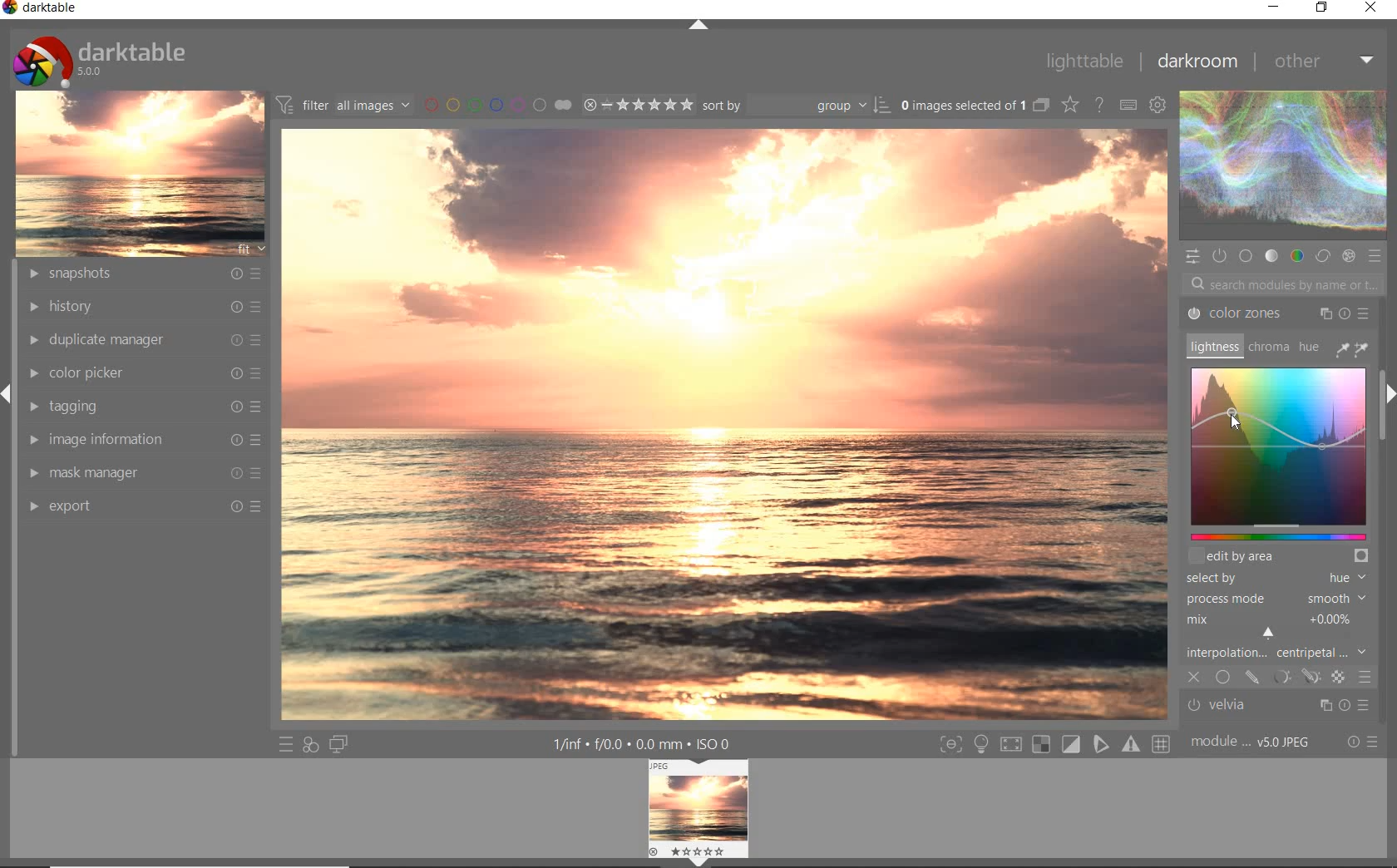 The height and width of the screenshot is (868, 1397). Describe the element at coordinates (960, 105) in the screenshot. I see `SELSECTED IMAGE` at that location.